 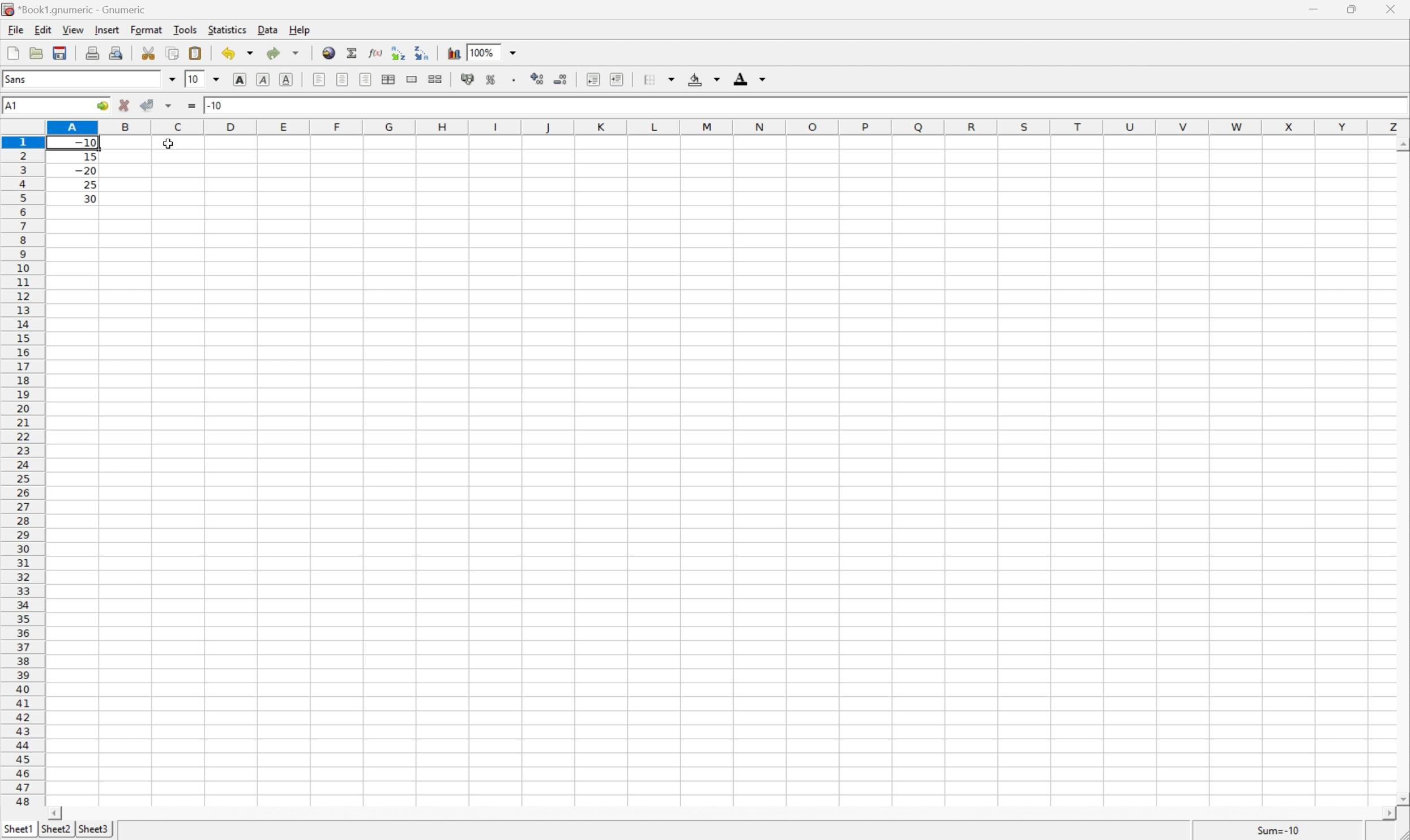 I want to click on Sum =-10, so click(x=1279, y=831).